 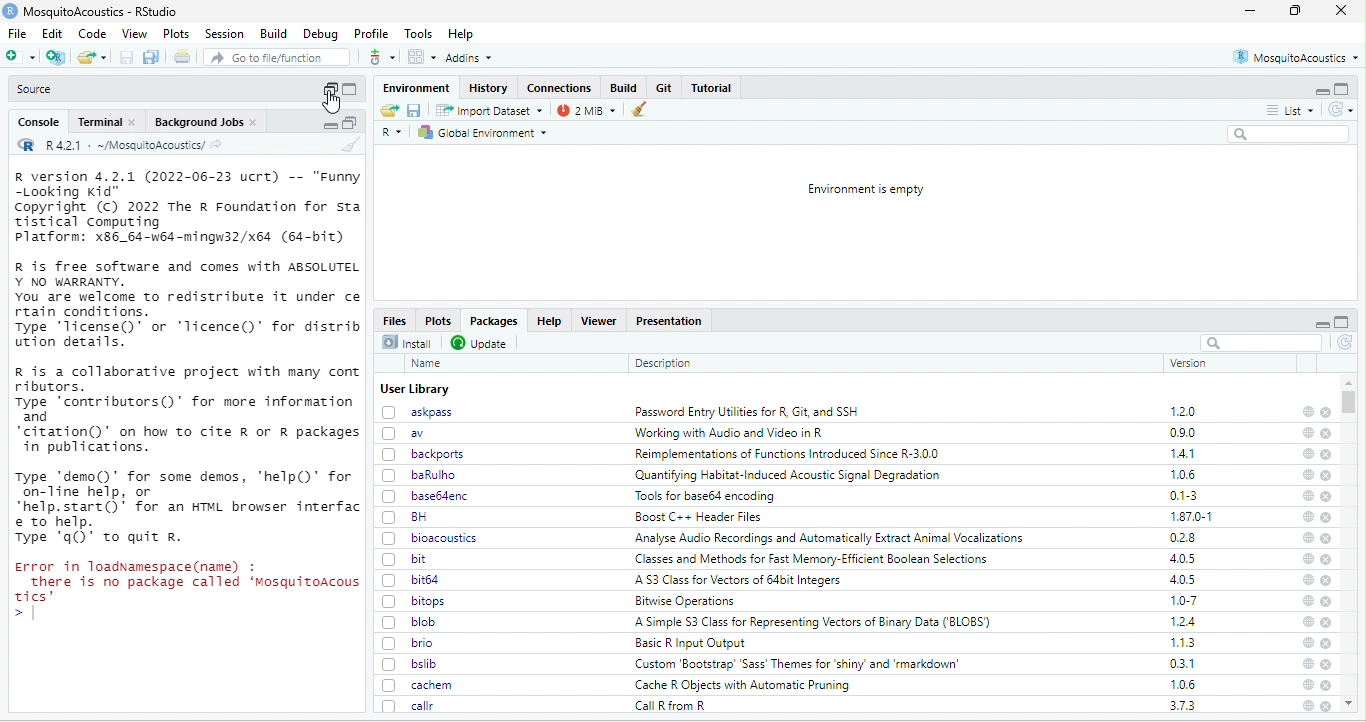 I want to click on Clear workspace, so click(x=641, y=109).